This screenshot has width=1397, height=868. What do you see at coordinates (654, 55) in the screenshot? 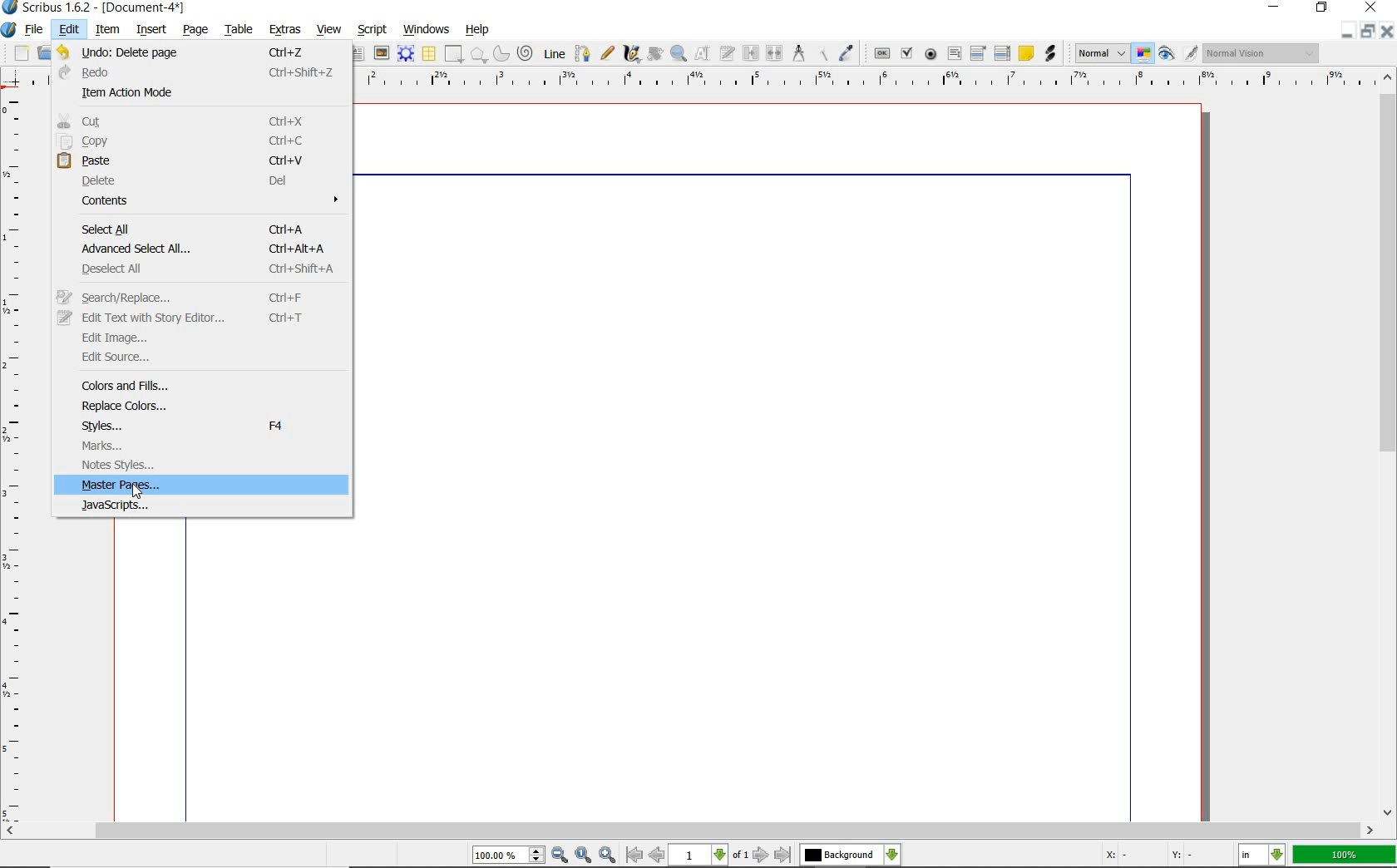
I see `rotate item` at bounding box center [654, 55].